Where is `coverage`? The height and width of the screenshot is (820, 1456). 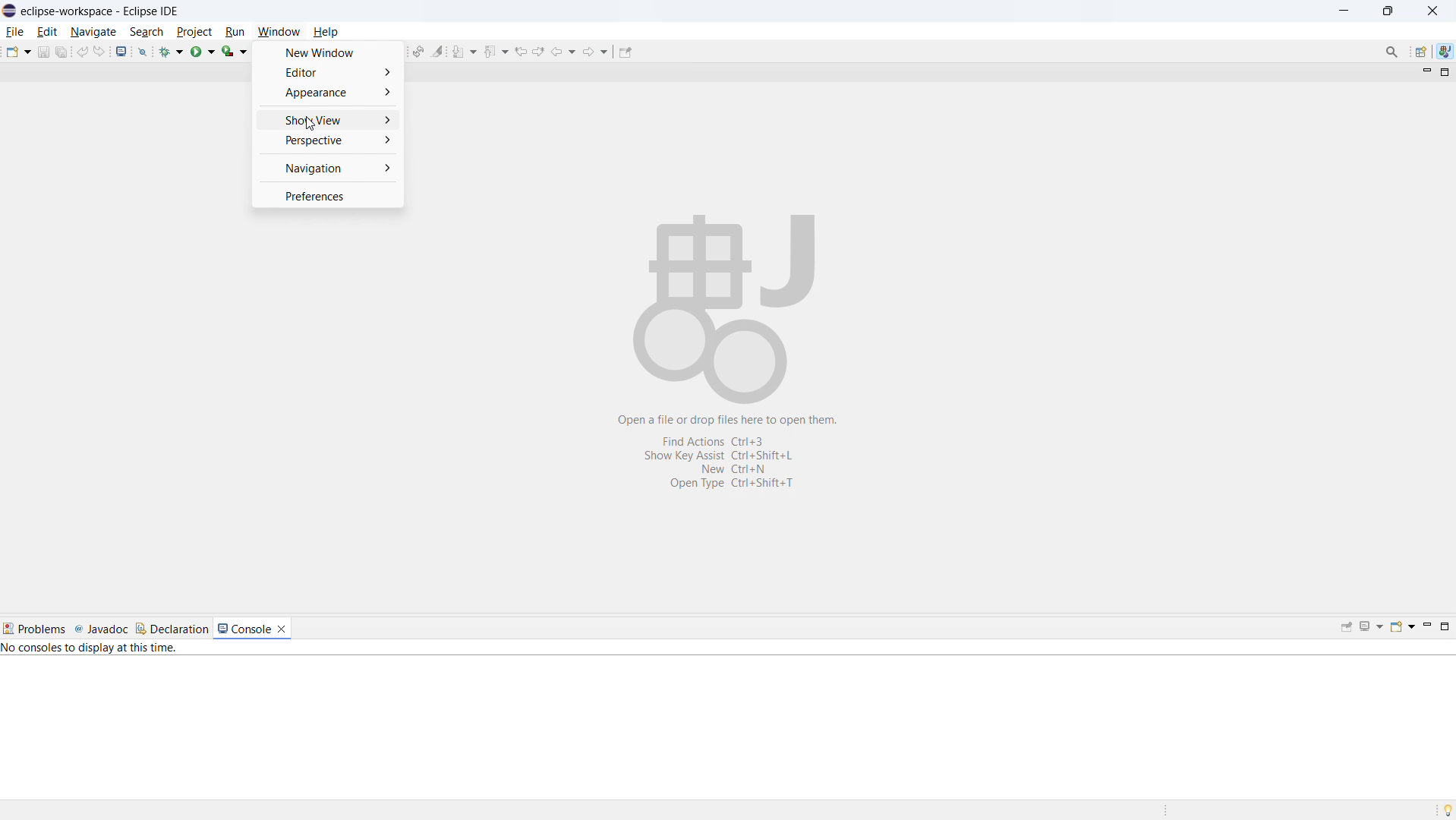 coverage is located at coordinates (234, 51).